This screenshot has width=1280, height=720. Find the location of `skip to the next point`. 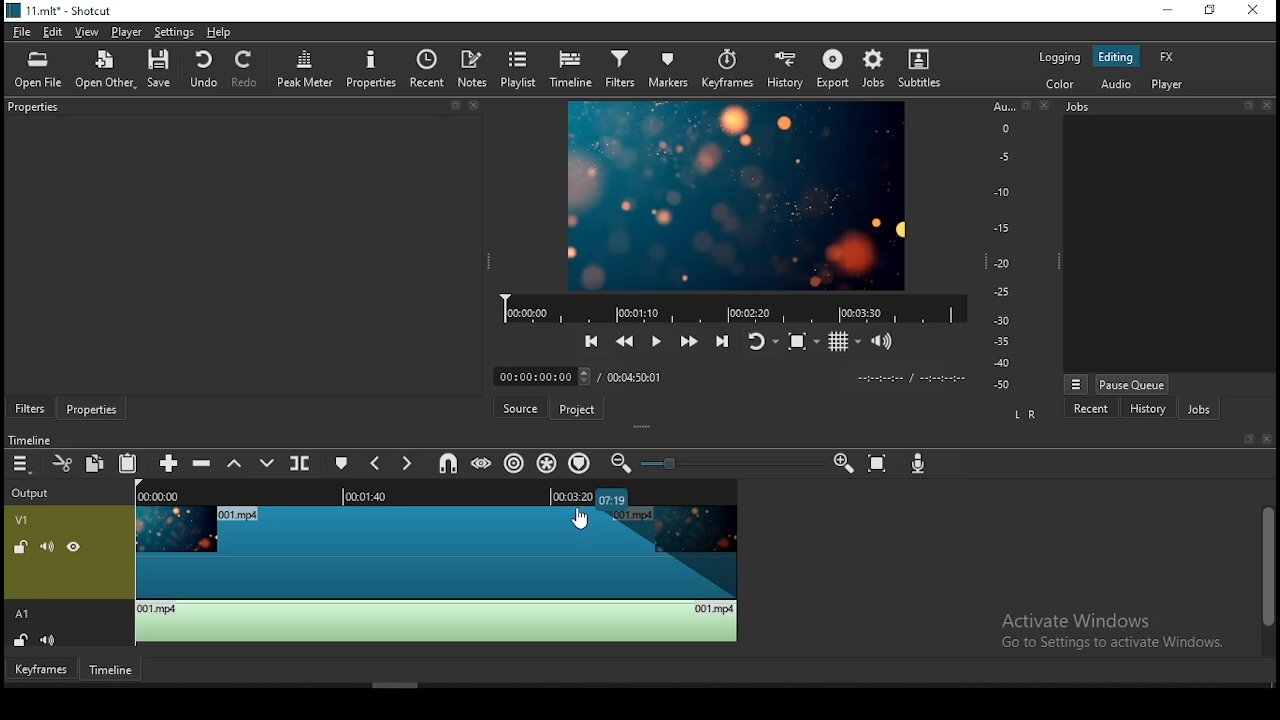

skip to the next point is located at coordinates (722, 344).